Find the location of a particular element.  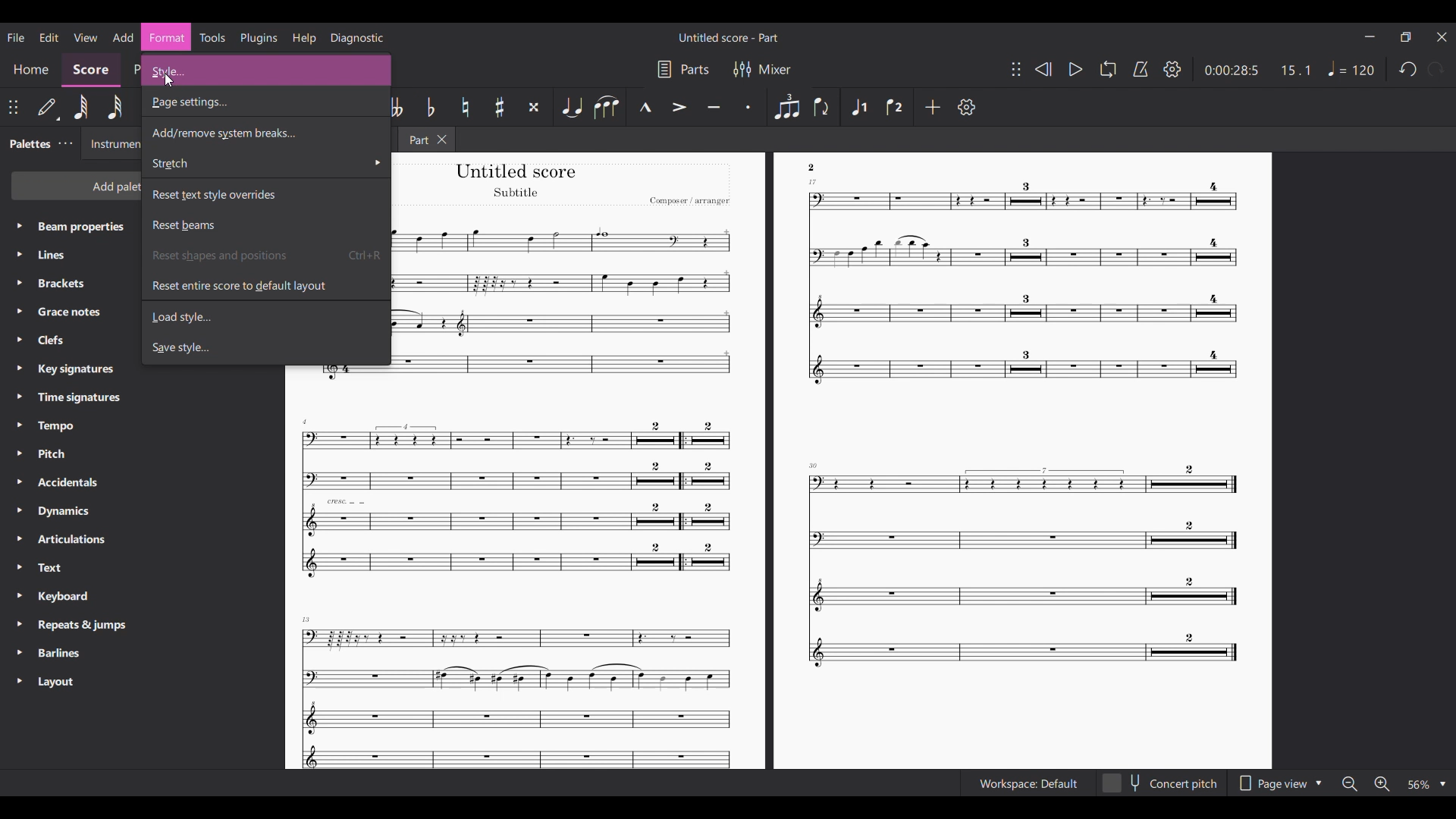

Edit menu is located at coordinates (49, 36).